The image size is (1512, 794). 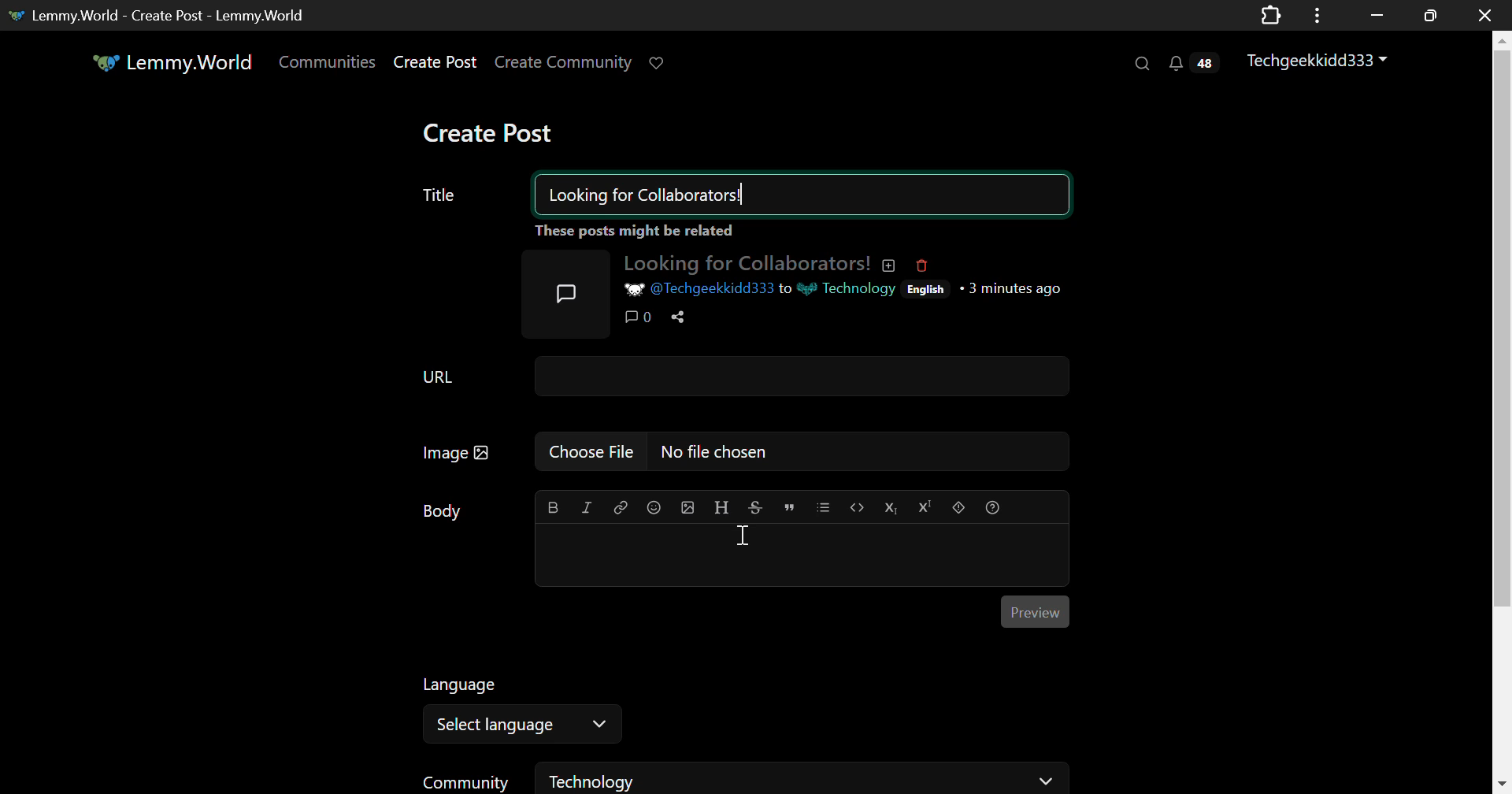 I want to click on Post Icon, so click(x=564, y=288).